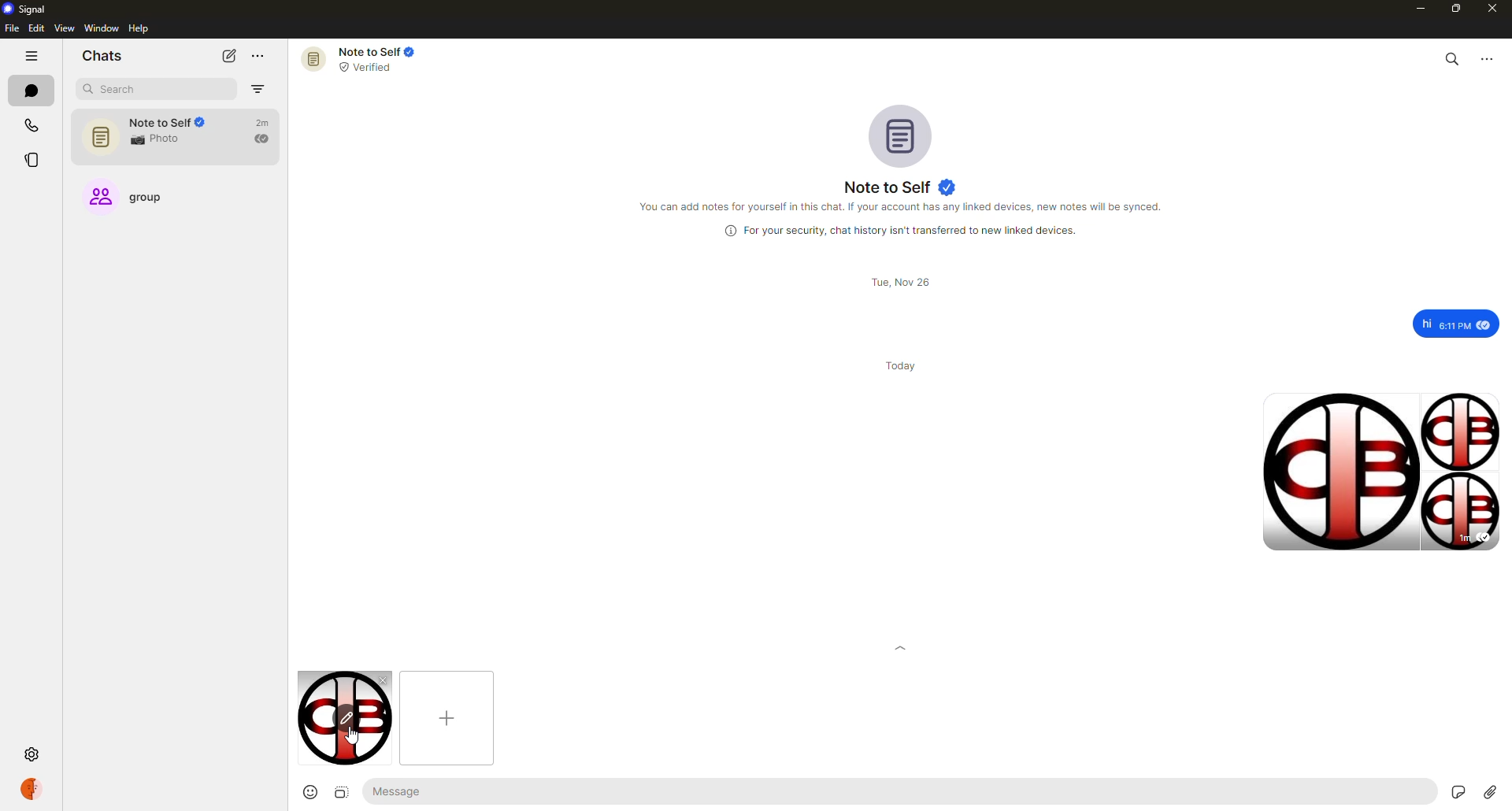 This screenshot has height=811, width=1512. I want to click on stickers, so click(1455, 791).